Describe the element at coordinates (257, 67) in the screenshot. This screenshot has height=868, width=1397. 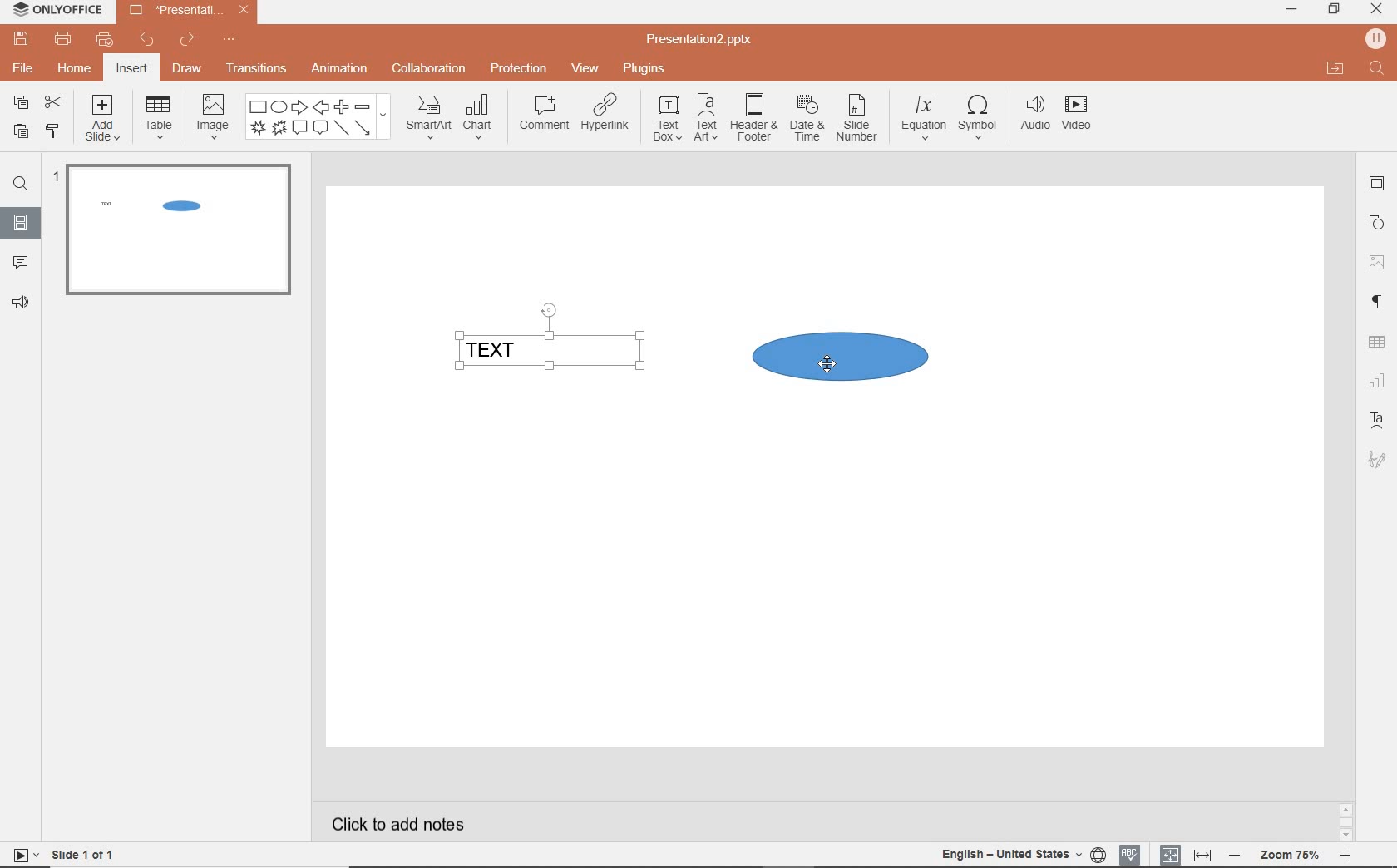
I see `transitions` at that location.